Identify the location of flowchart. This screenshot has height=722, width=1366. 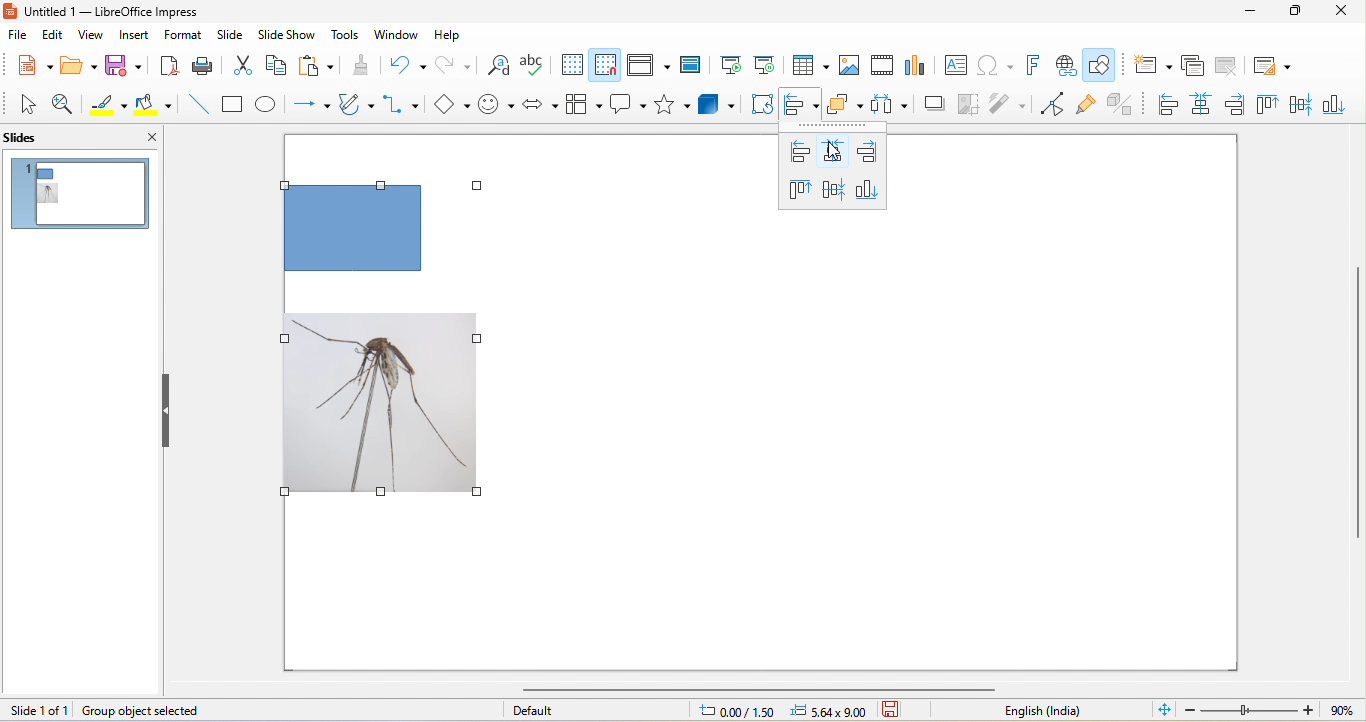
(583, 106).